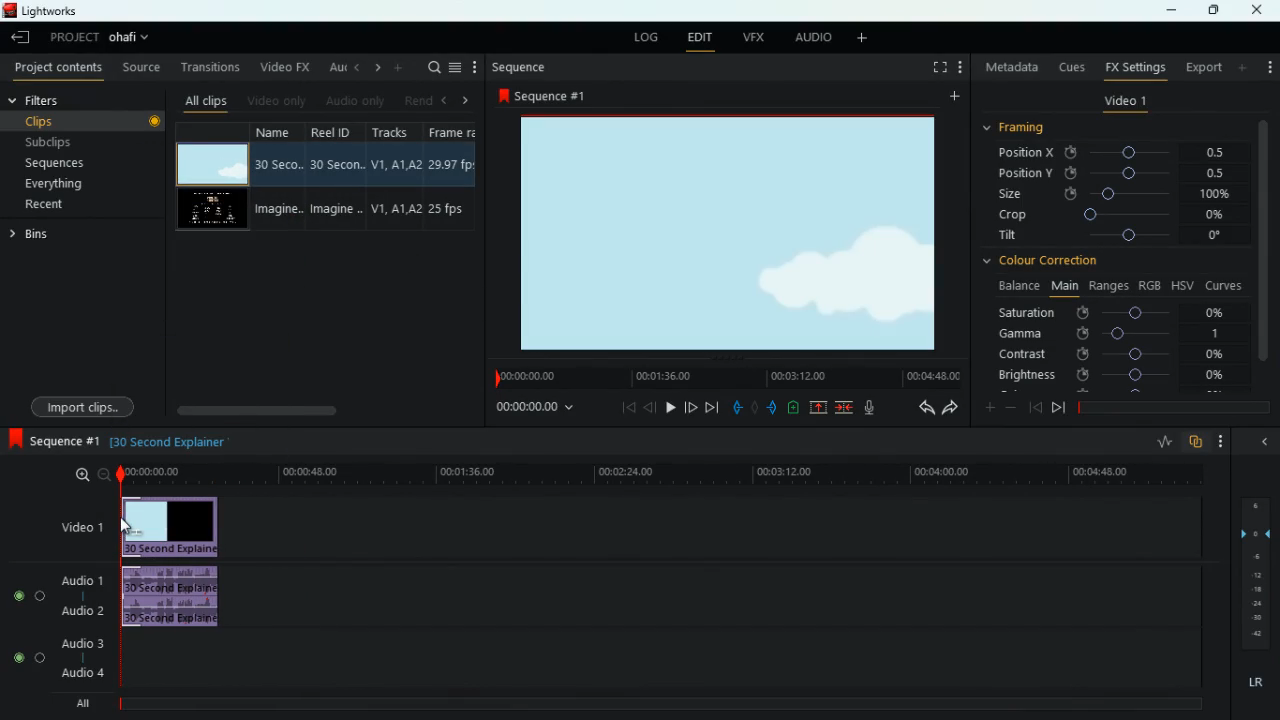 The width and height of the screenshot is (1280, 720). I want to click on Audio, so click(25, 595).